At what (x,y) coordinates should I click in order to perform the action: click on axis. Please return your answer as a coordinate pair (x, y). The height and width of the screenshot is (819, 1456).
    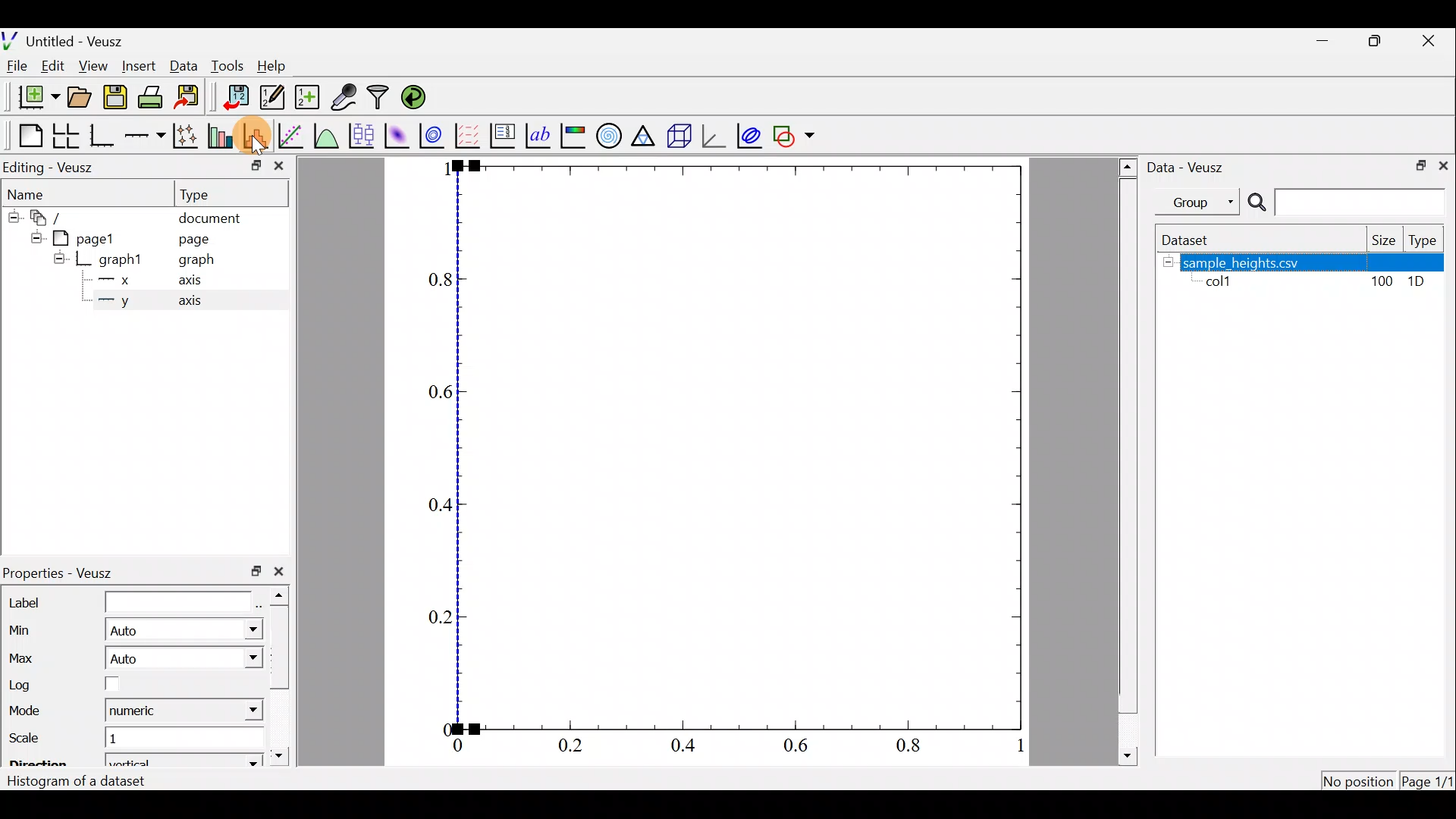
    Looking at the image, I should click on (186, 279).